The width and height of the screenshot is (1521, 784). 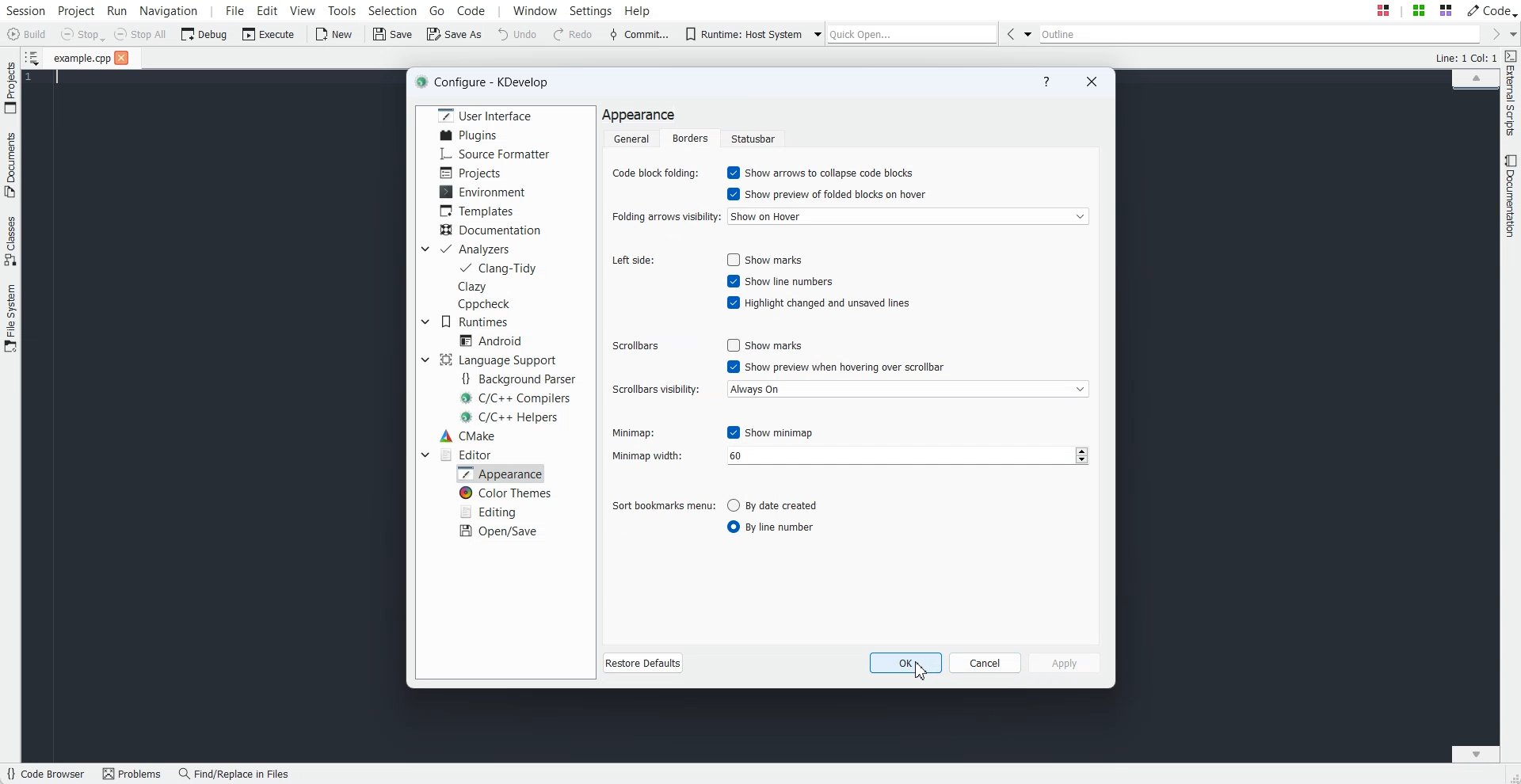 I want to click on Session, so click(x=25, y=10).